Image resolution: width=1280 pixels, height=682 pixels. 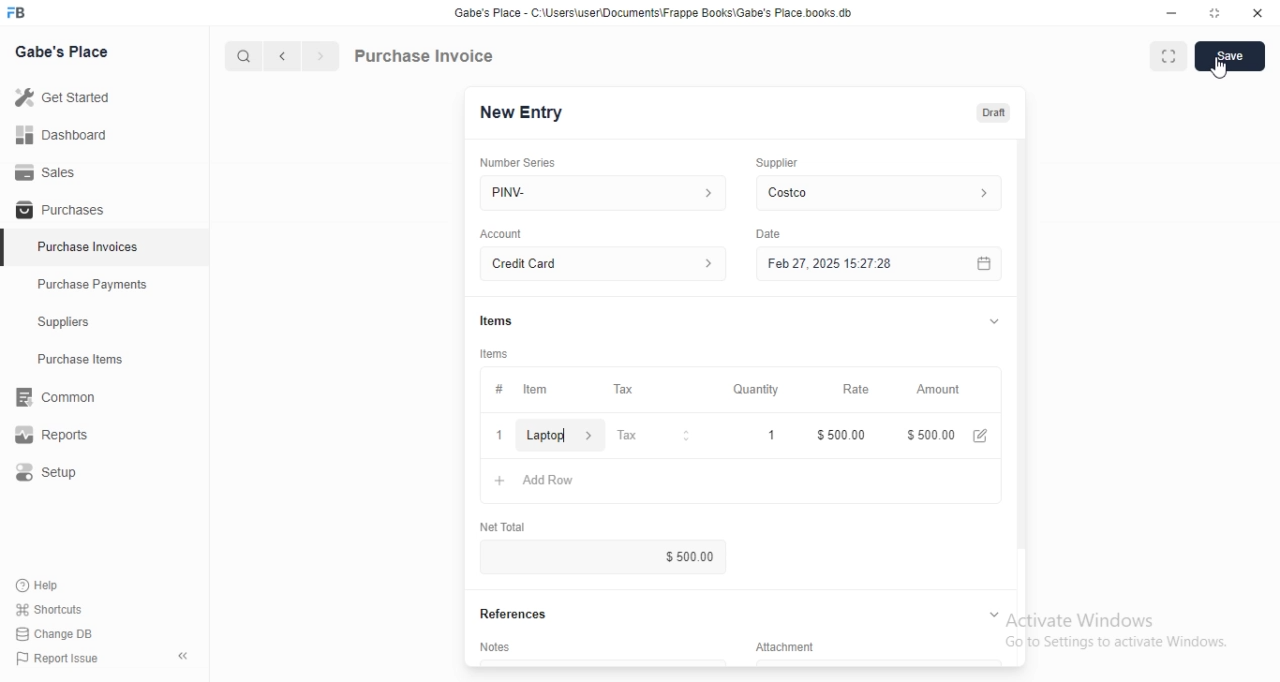 I want to click on Save, so click(x=1230, y=56).